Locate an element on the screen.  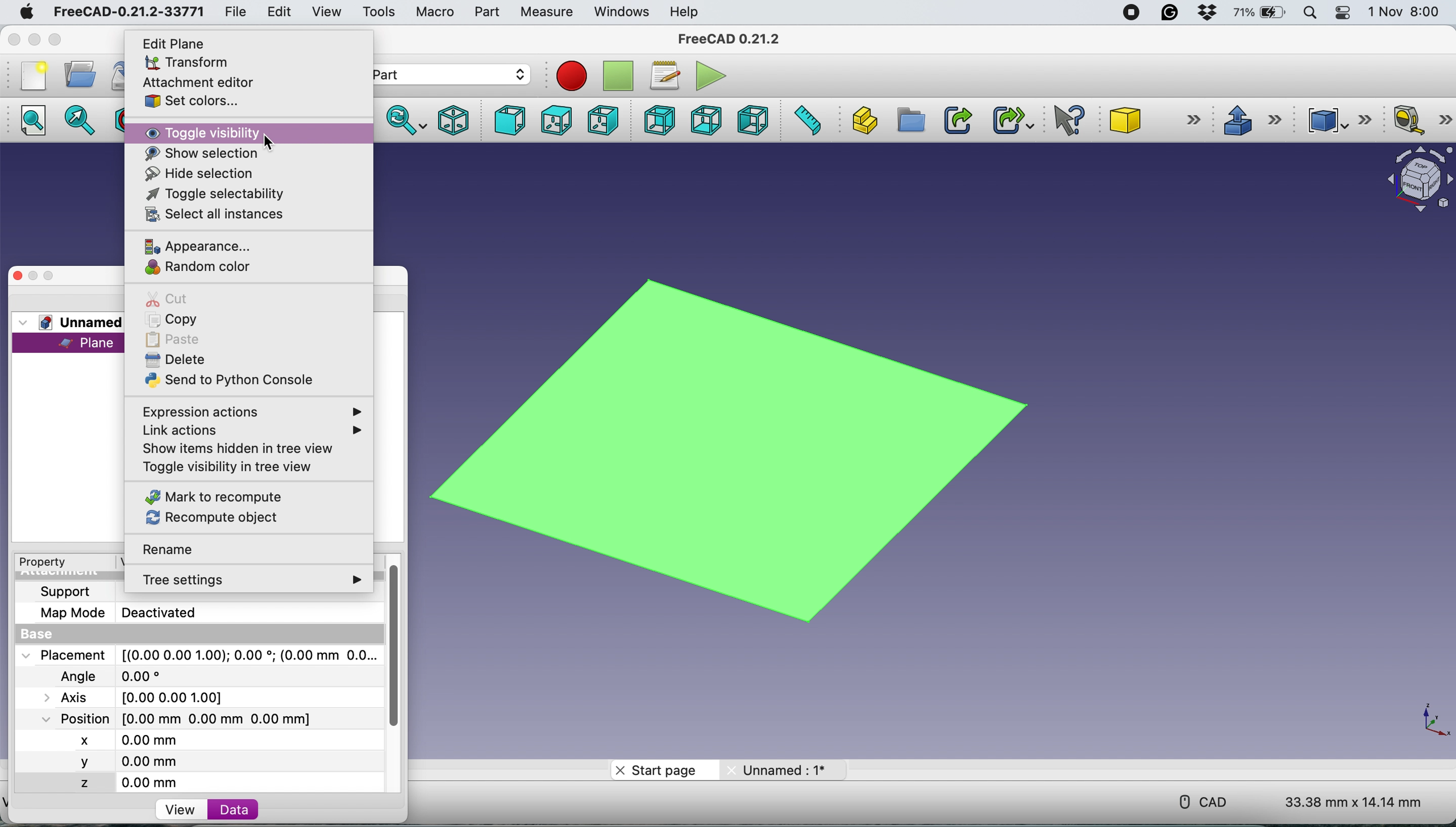
spotlight search is located at coordinates (1313, 12).